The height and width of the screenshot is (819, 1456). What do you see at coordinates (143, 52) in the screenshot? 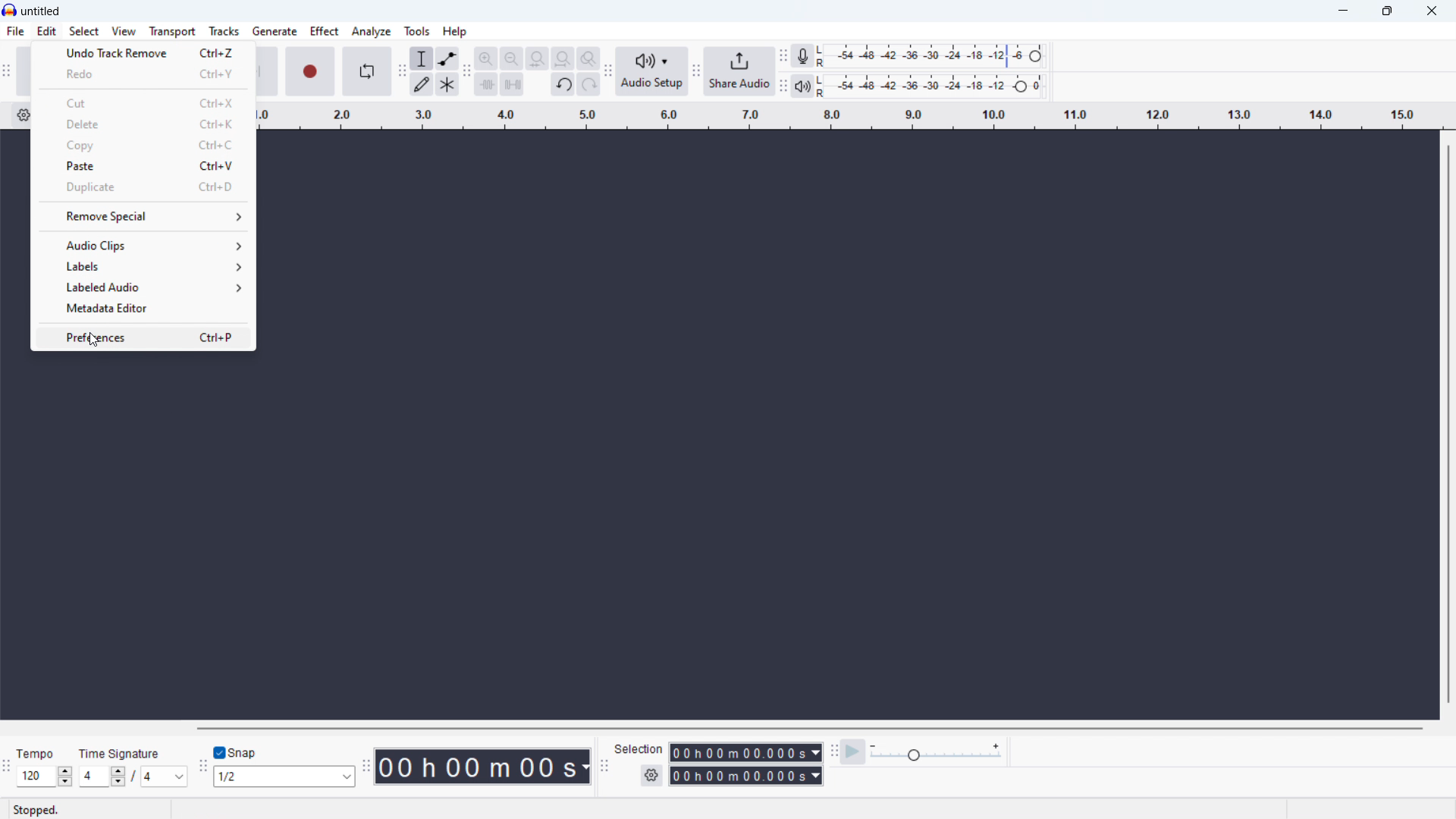
I see `undo last move` at bounding box center [143, 52].